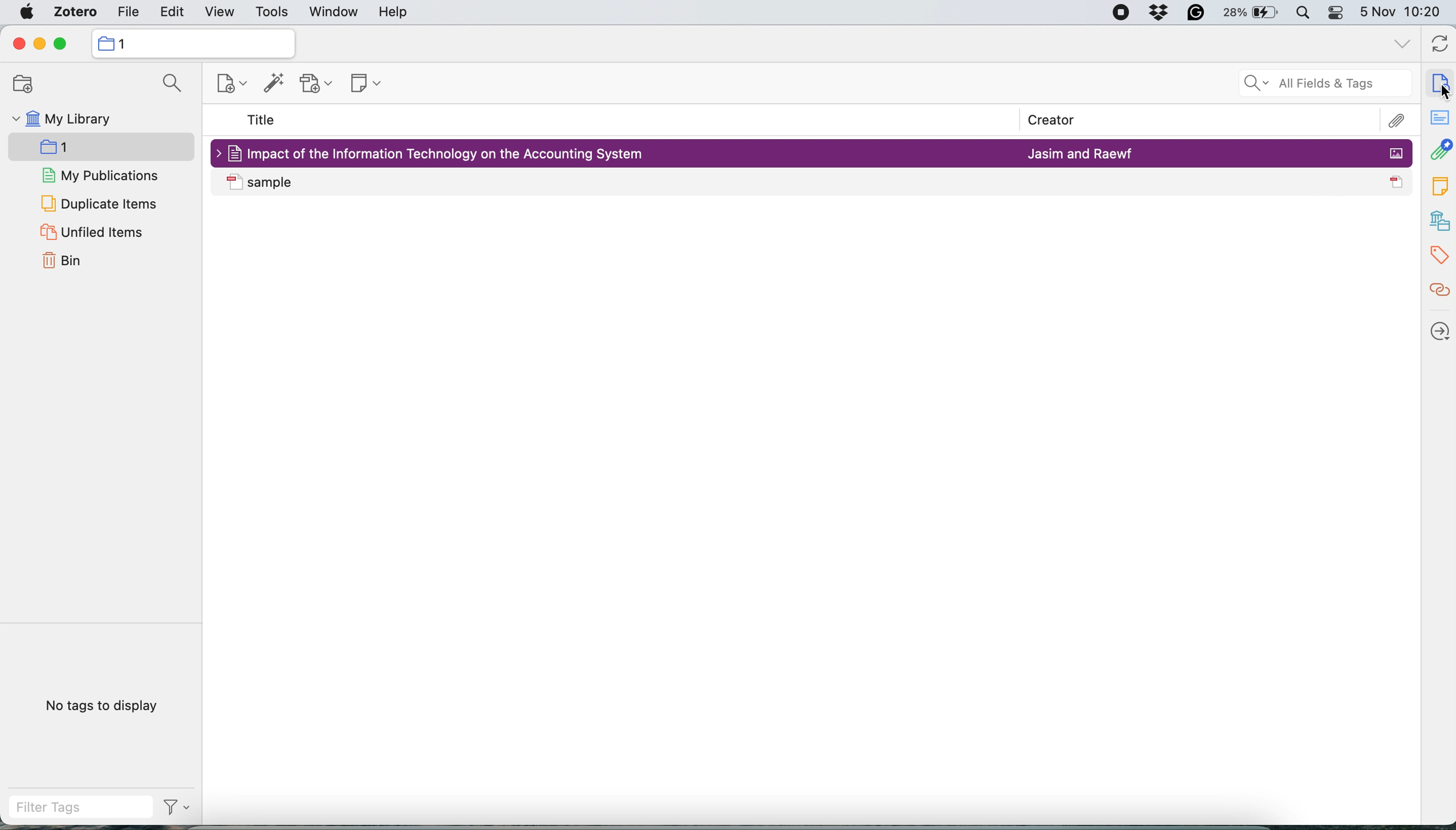 This screenshot has height=830, width=1456. I want to click on minimise, so click(40, 44).